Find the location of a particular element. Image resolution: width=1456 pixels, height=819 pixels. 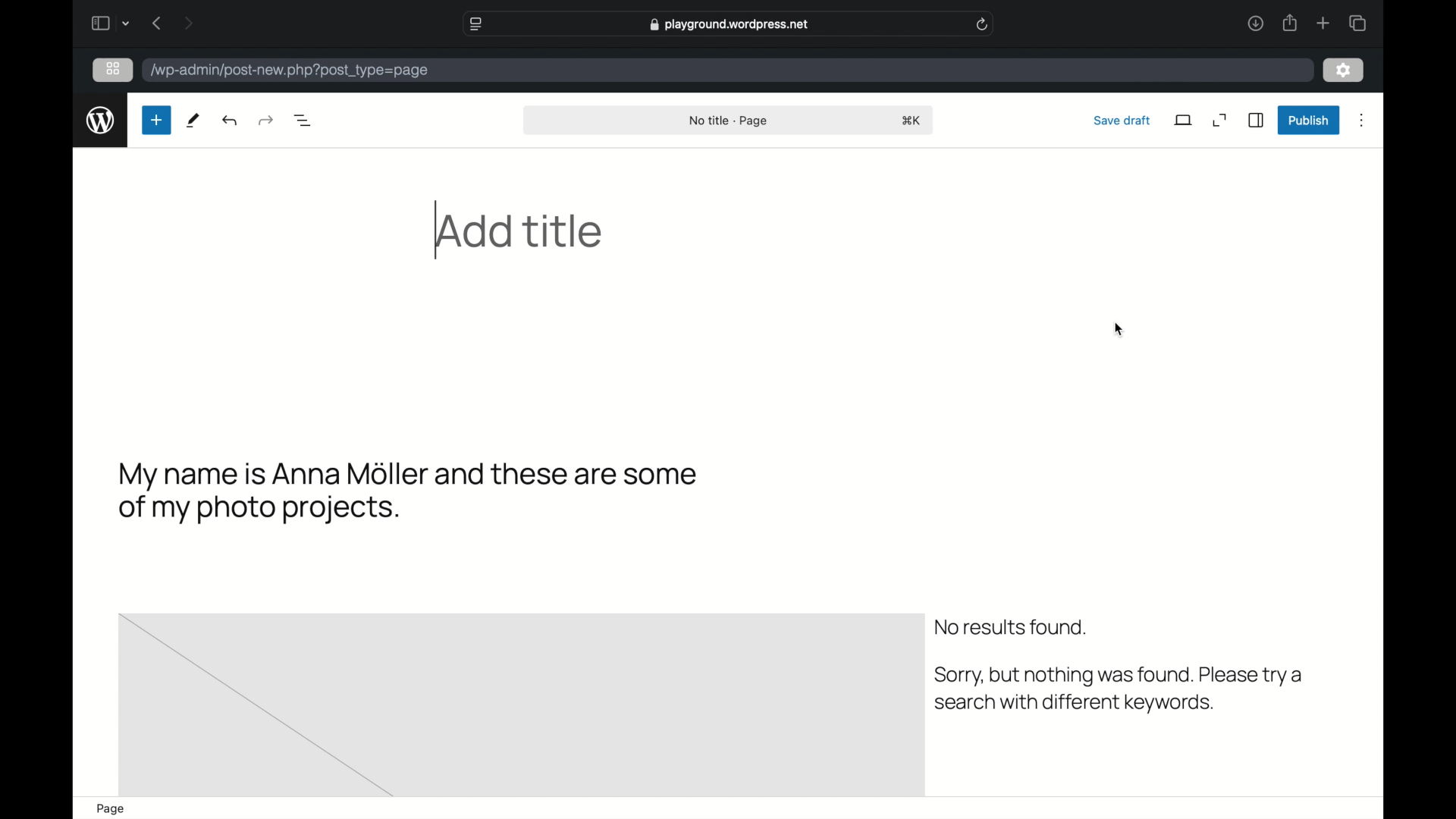

refresh is located at coordinates (983, 24).